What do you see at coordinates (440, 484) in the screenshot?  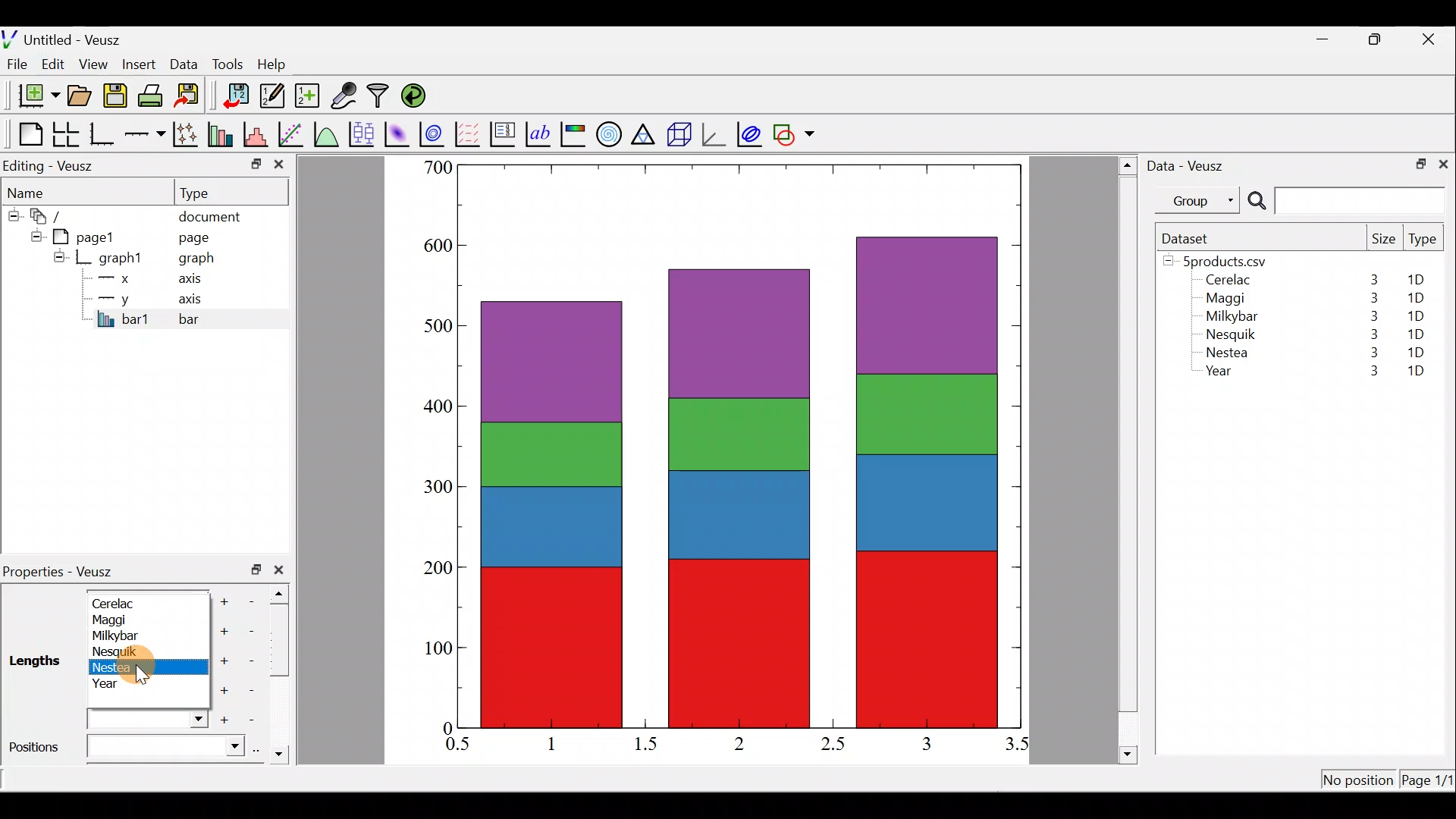 I see `300` at bounding box center [440, 484].